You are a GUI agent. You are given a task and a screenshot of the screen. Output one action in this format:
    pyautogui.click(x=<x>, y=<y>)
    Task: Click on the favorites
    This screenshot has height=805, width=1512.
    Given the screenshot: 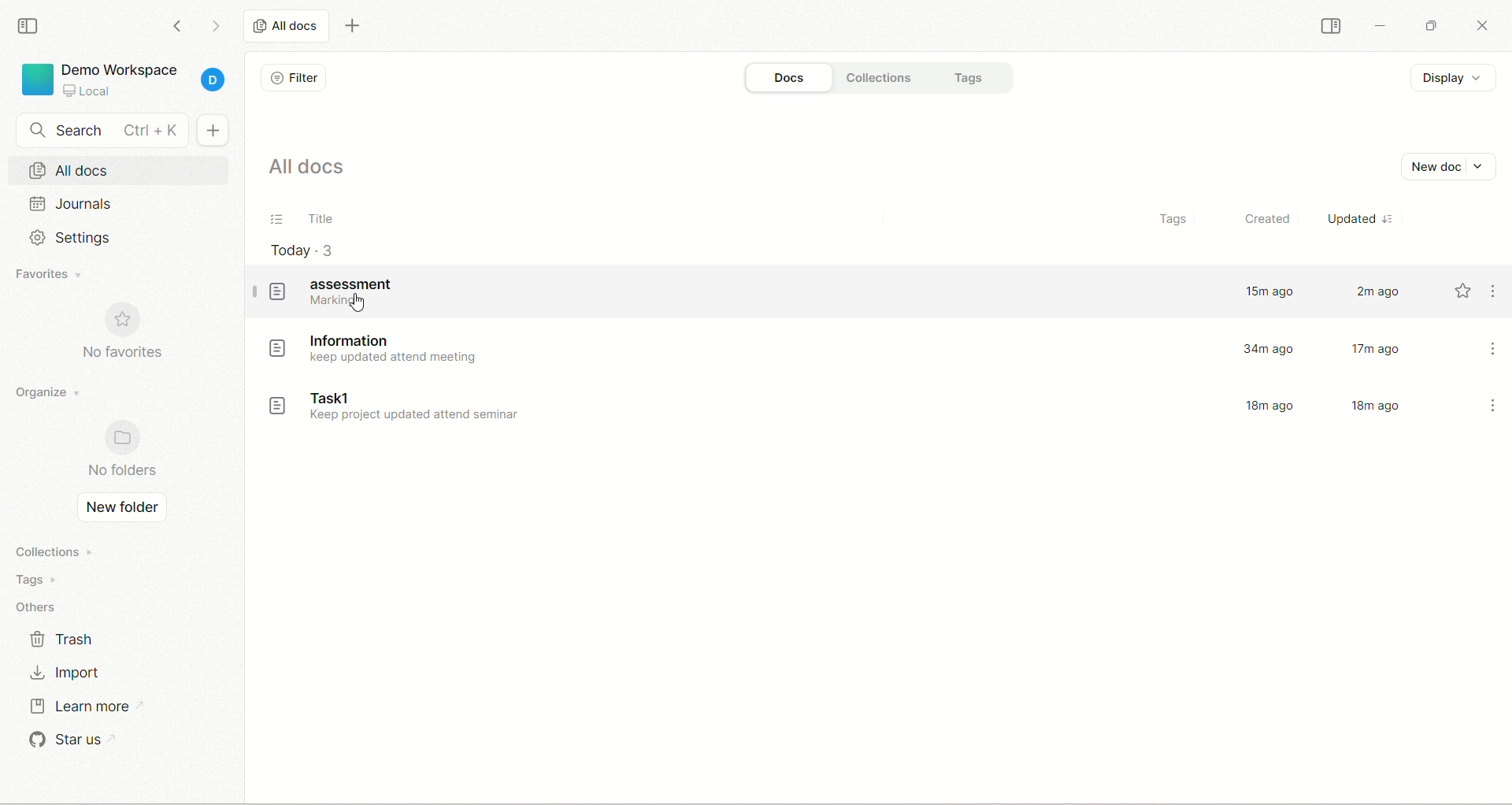 What is the action you would take?
    pyautogui.click(x=54, y=275)
    